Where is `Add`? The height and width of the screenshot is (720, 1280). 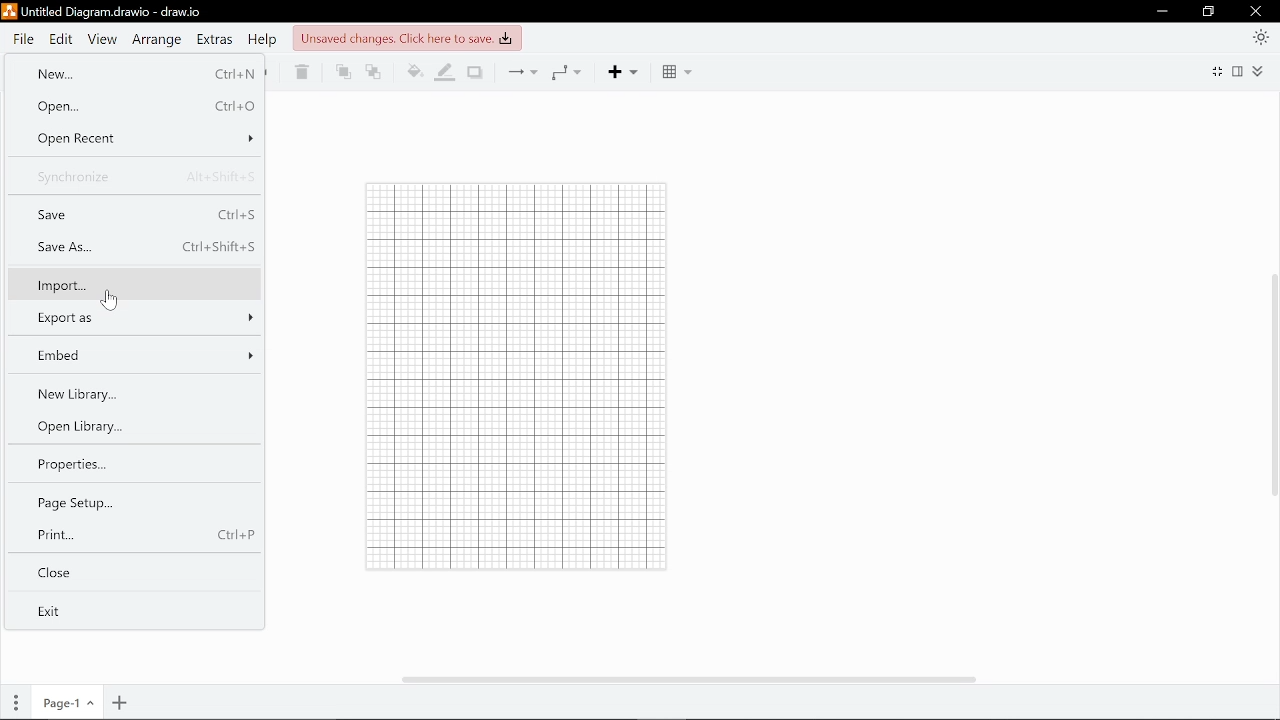 Add is located at coordinates (626, 72).